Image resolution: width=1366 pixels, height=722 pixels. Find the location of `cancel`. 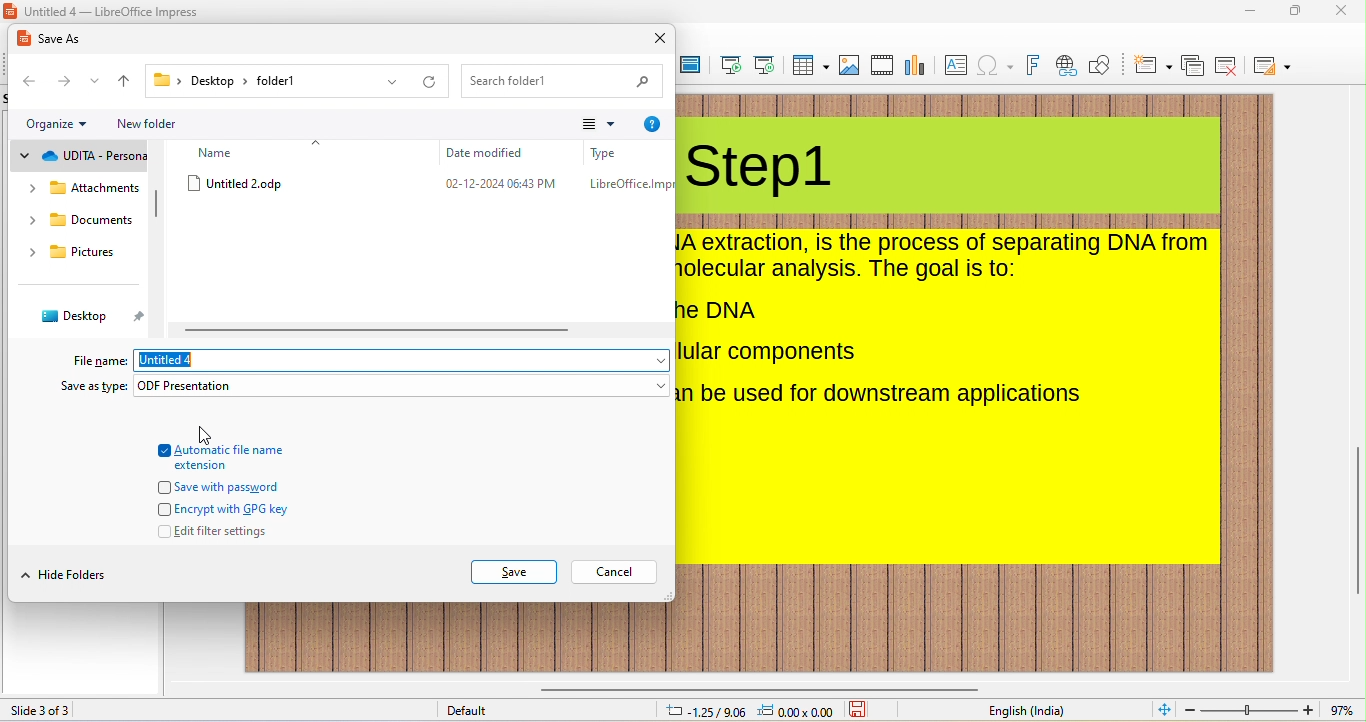

cancel is located at coordinates (612, 573).